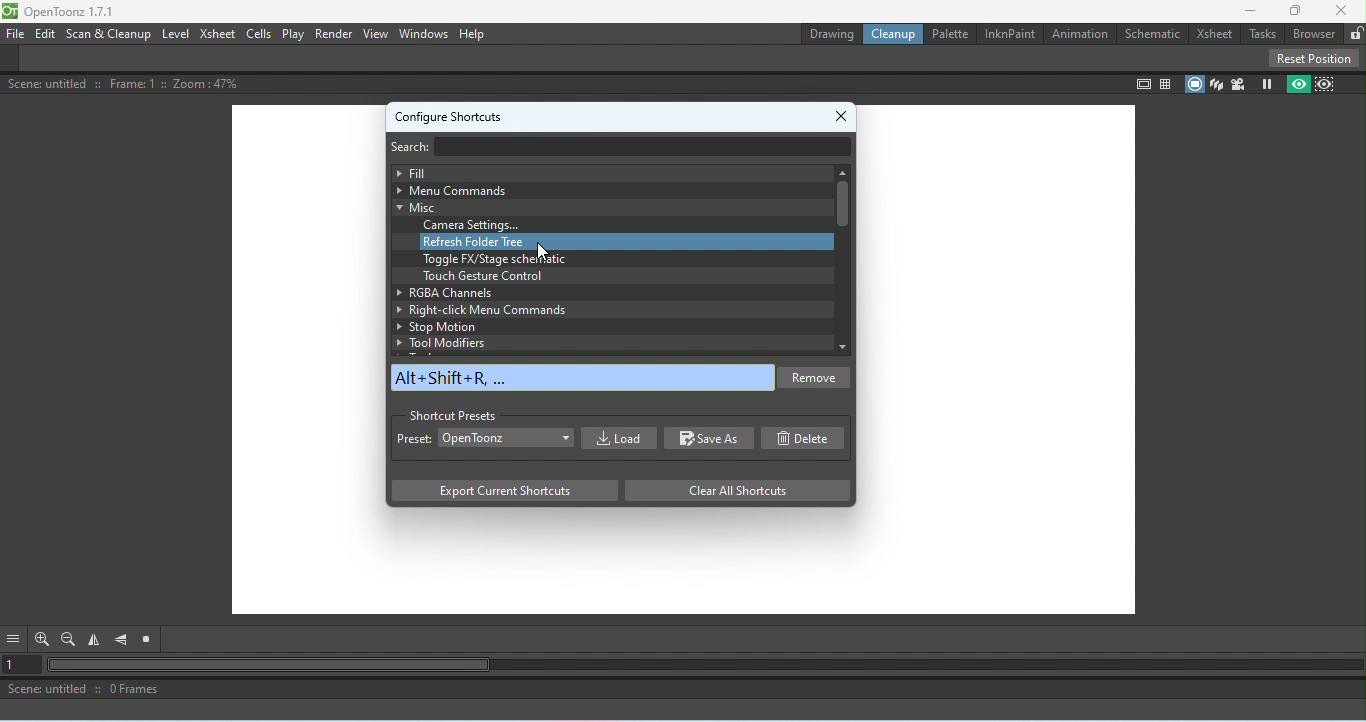 The height and width of the screenshot is (722, 1366). I want to click on RGBA Channels, so click(598, 291).